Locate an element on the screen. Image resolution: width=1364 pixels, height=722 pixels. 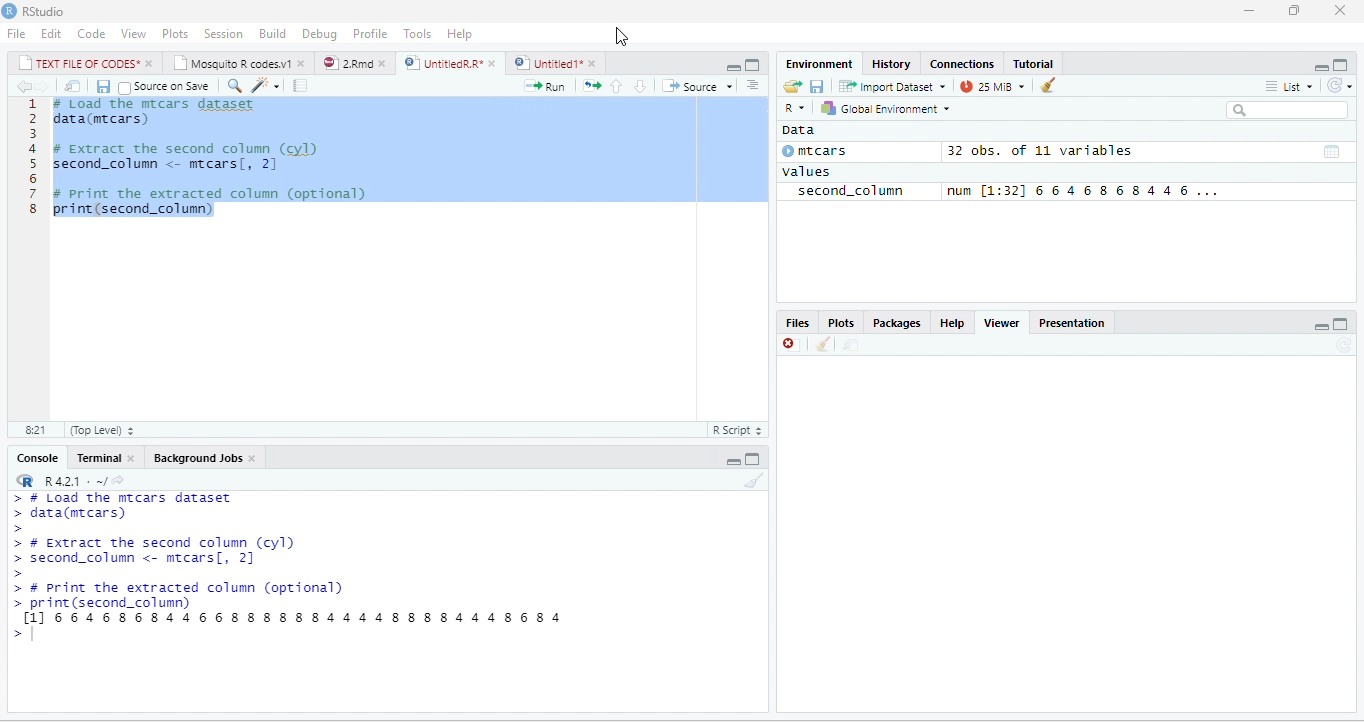
save is located at coordinates (101, 85).